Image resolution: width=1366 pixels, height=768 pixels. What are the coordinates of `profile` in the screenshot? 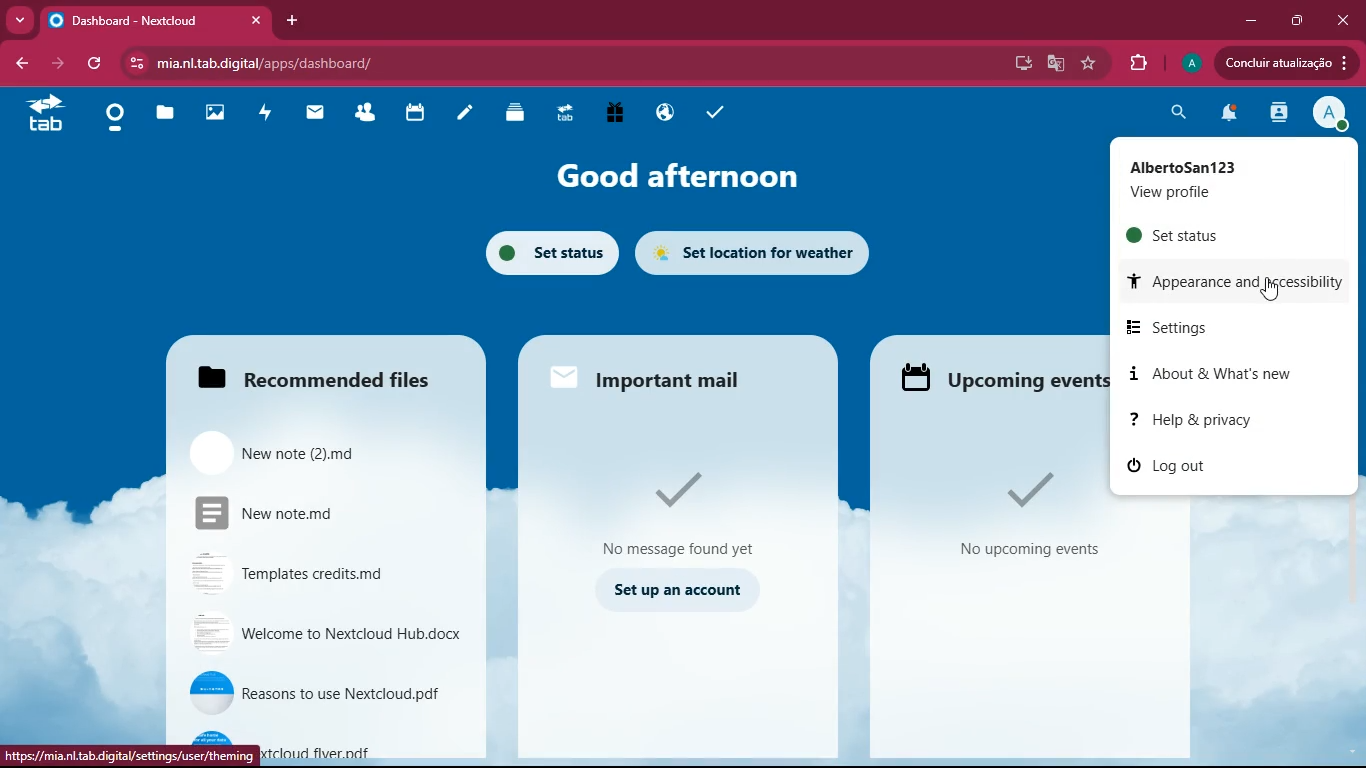 It's located at (1331, 113).